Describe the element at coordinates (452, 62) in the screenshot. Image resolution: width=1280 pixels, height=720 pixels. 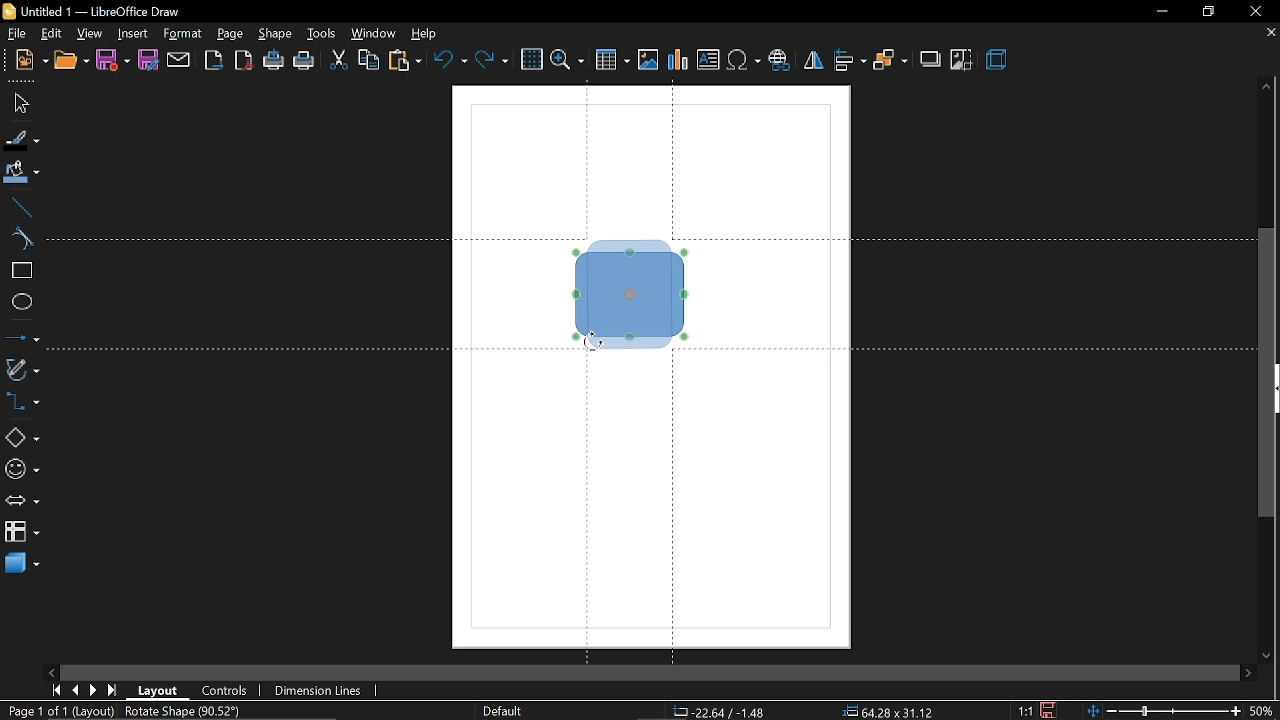
I see `undo` at that location.